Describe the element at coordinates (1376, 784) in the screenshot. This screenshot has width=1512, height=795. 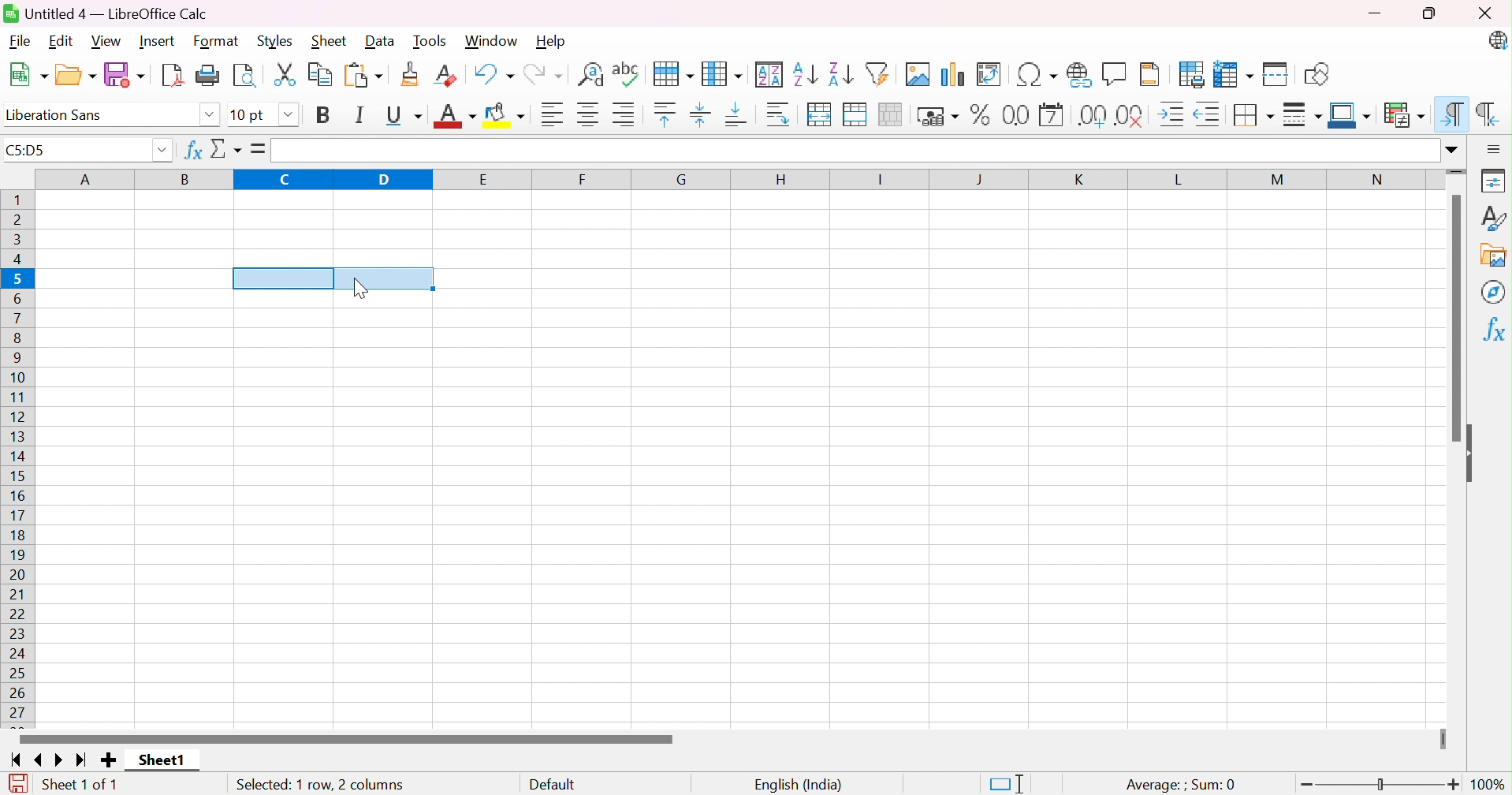
I see `Slider` at that location.